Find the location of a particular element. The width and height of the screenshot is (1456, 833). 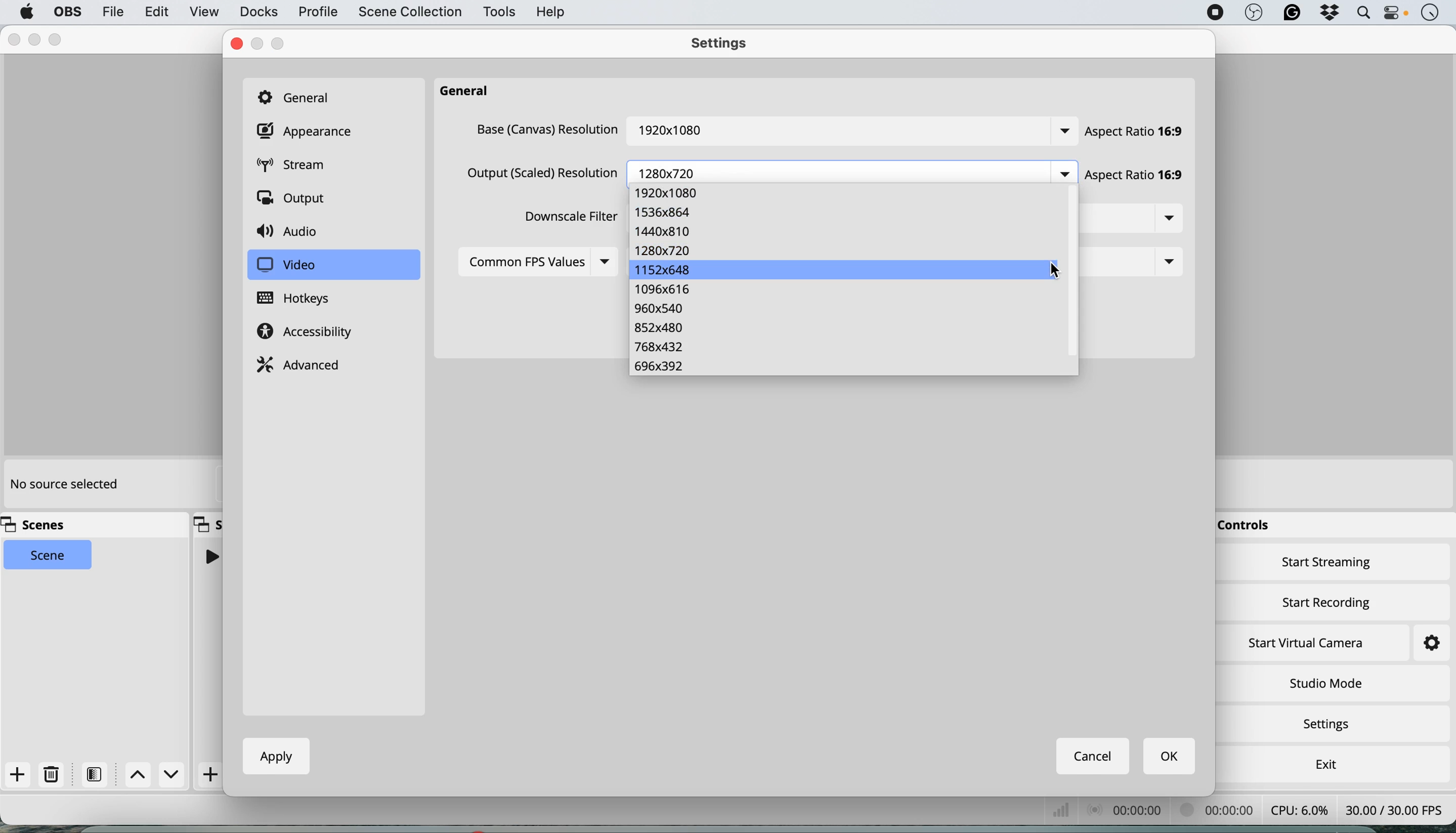

output is located at coordinates (295, 200).